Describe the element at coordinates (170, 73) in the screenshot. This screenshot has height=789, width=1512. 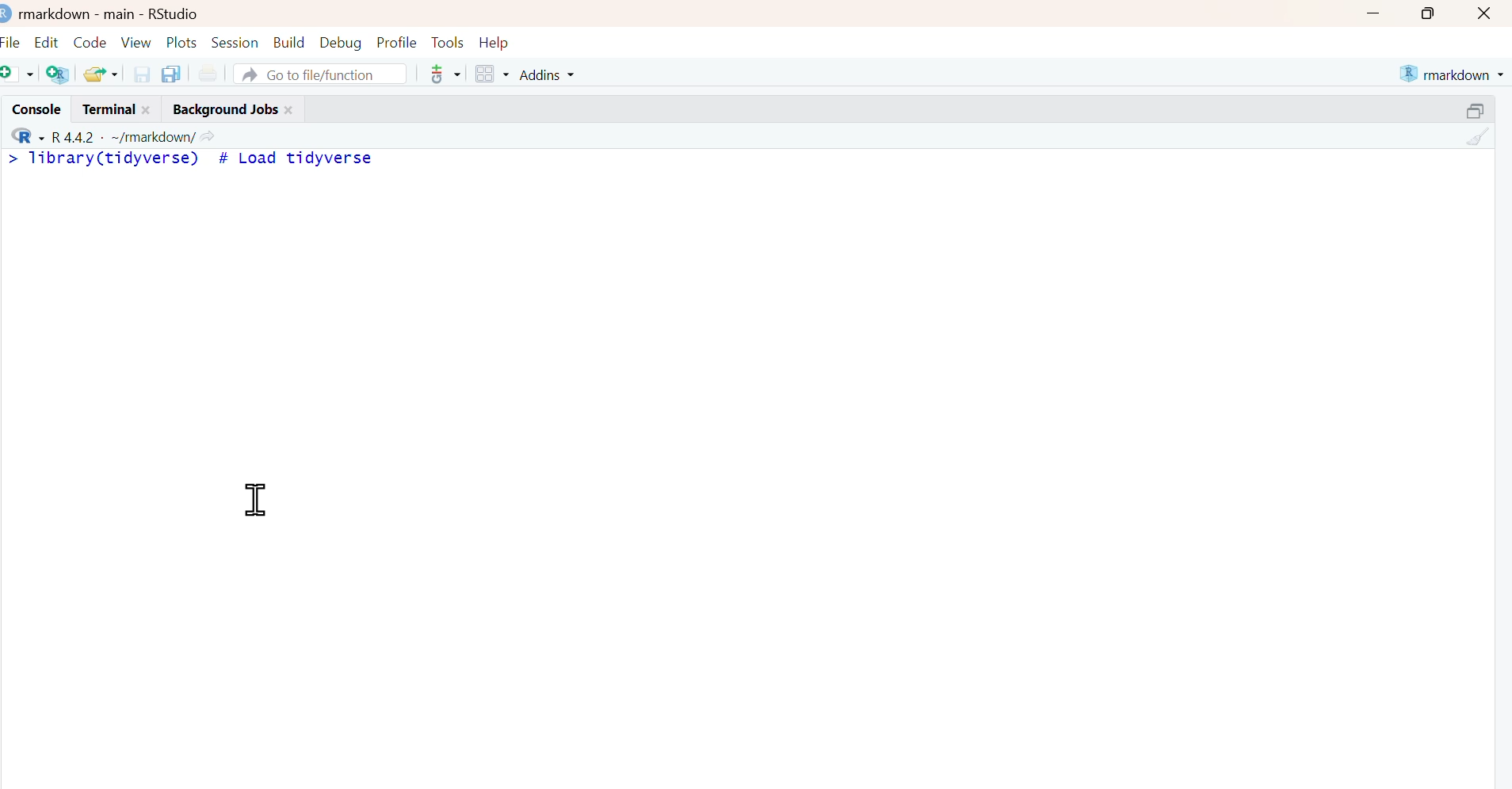
I see `save all` at that location.